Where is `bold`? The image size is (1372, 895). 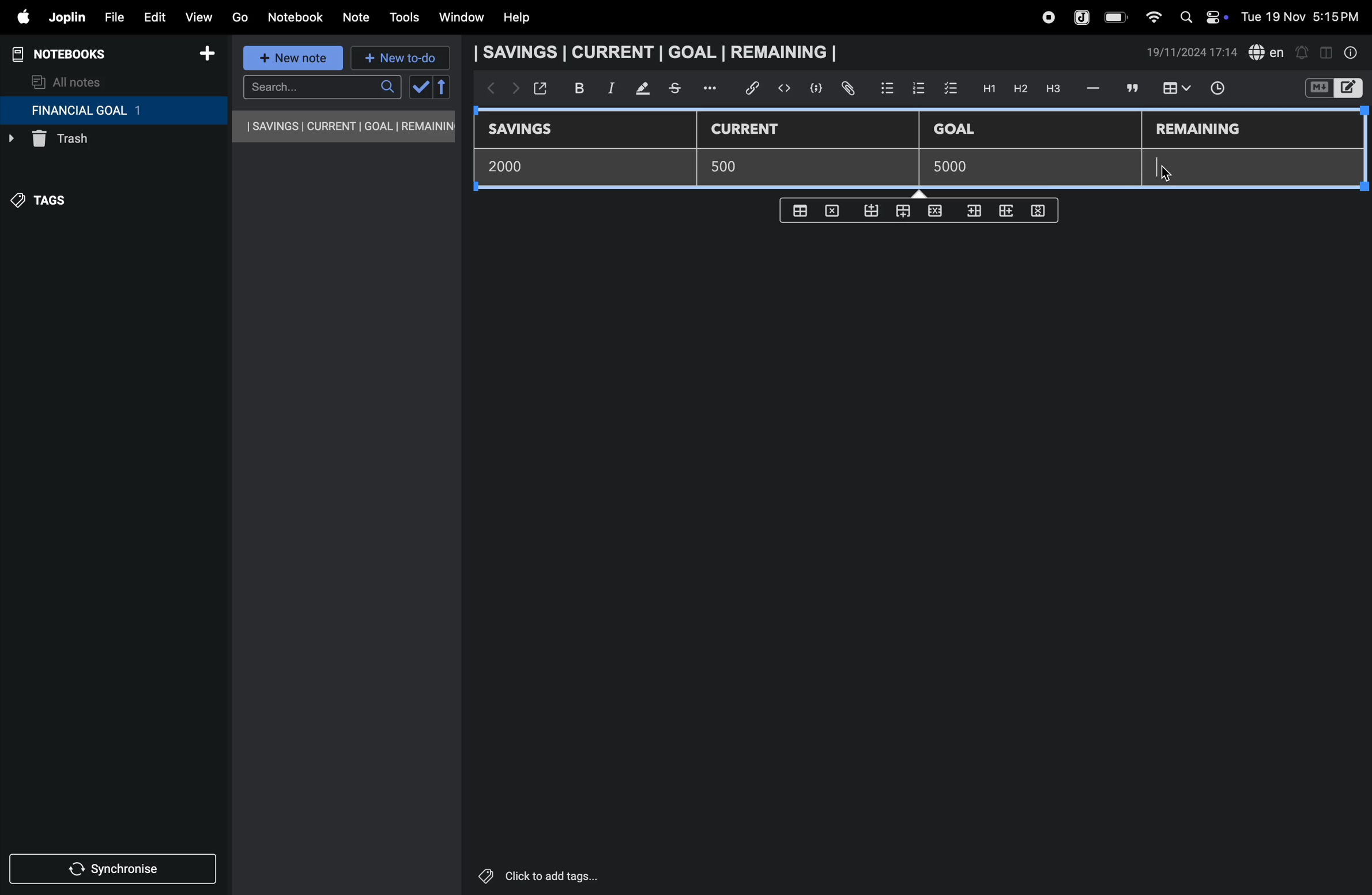
bold is located at coordinates (573, 88).